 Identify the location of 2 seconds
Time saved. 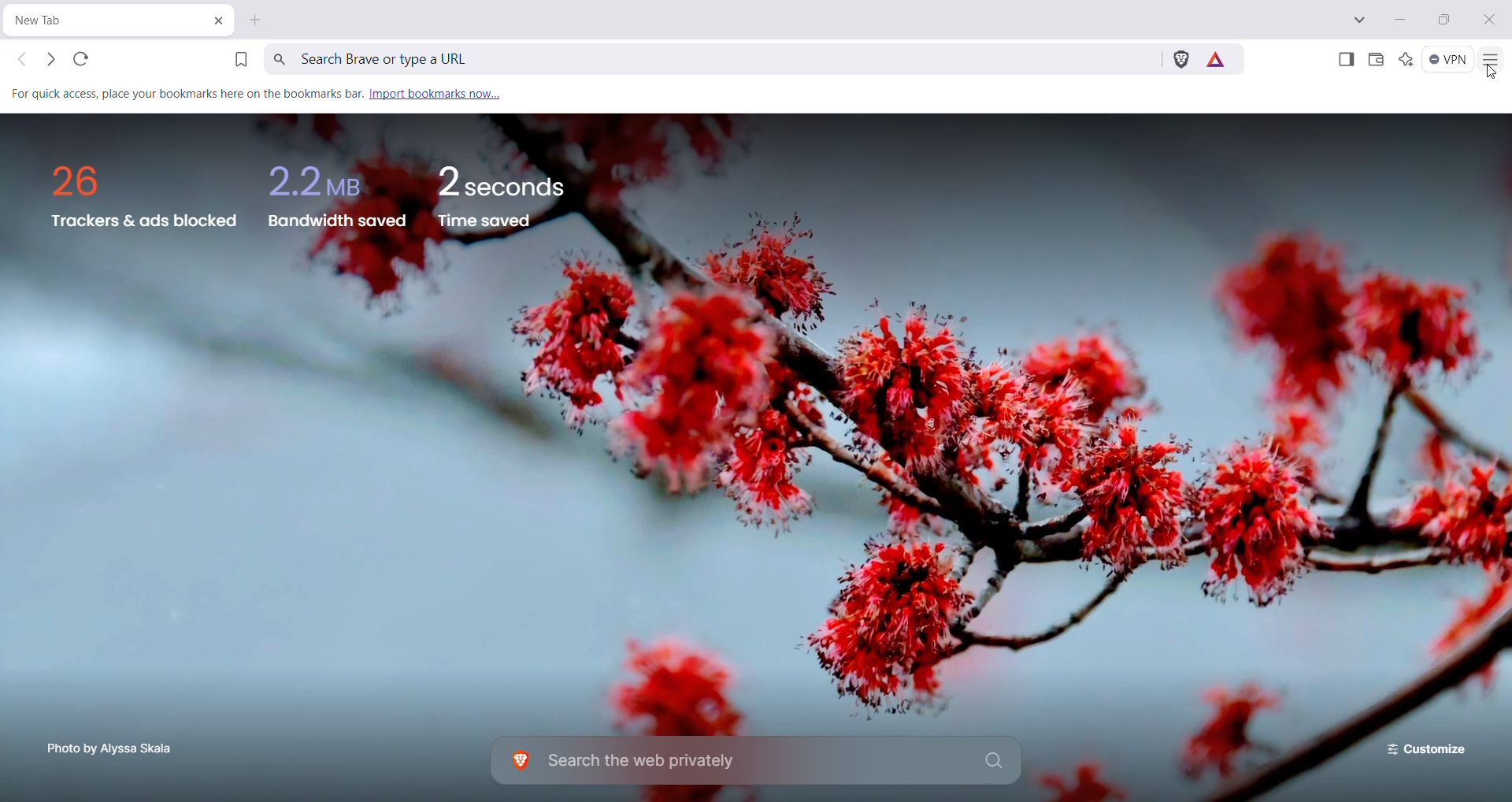
(512, 191).